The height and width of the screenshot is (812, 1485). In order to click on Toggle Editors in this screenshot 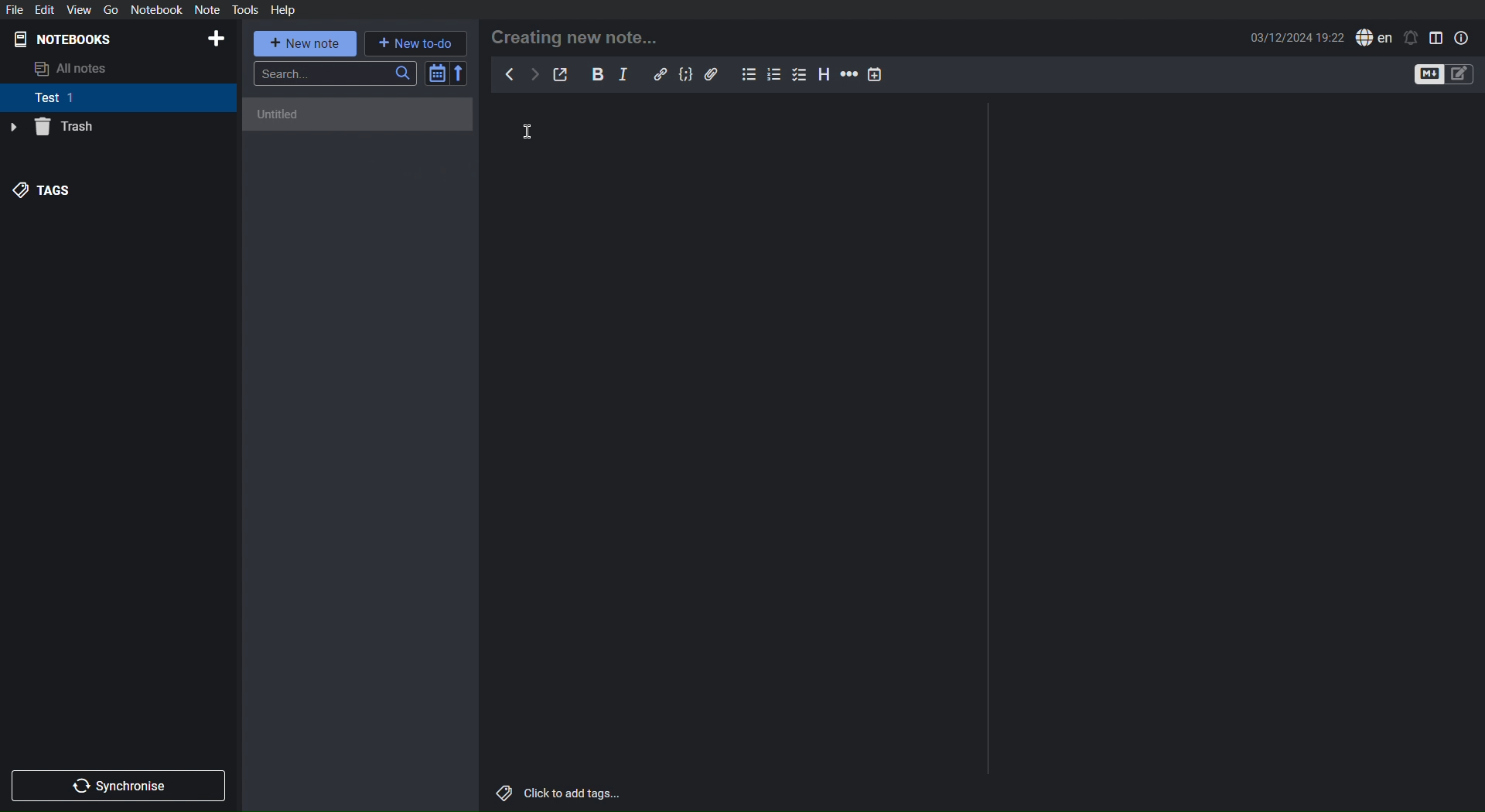, I will do `click(1442, 74)`.